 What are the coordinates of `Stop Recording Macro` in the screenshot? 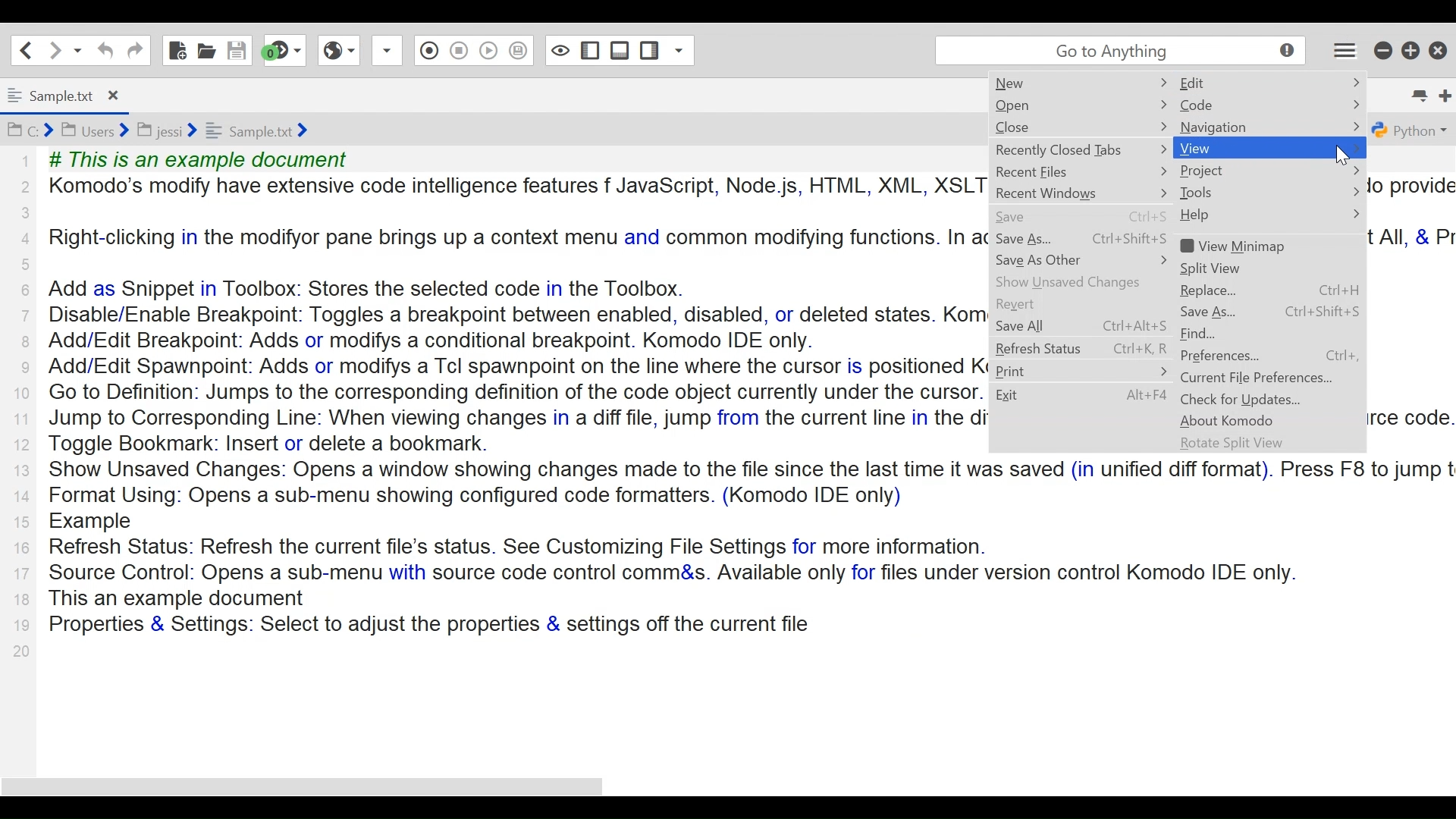 It's located at (428, 49).